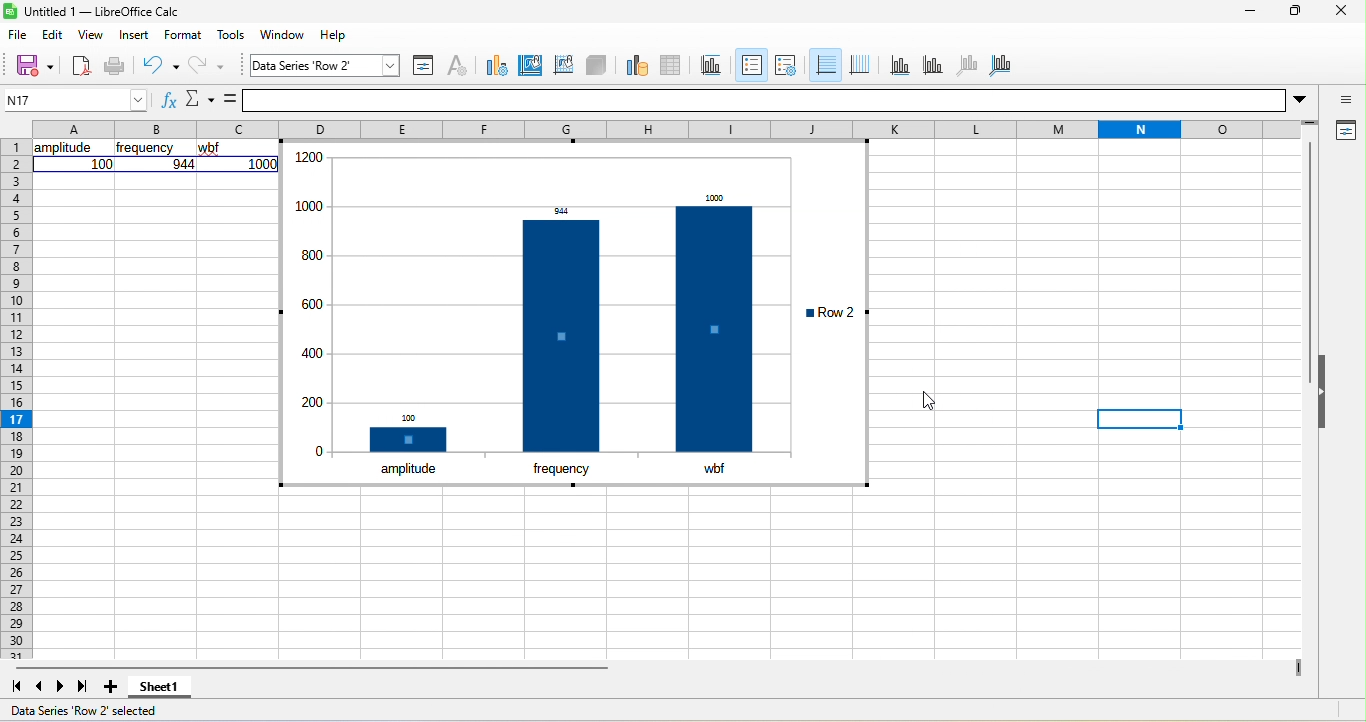 This screenshot has width=1366, height=722. What do you see at coordinates (140, 35) in the screenshot?
I see `insert` at bounding box center [140, 35].